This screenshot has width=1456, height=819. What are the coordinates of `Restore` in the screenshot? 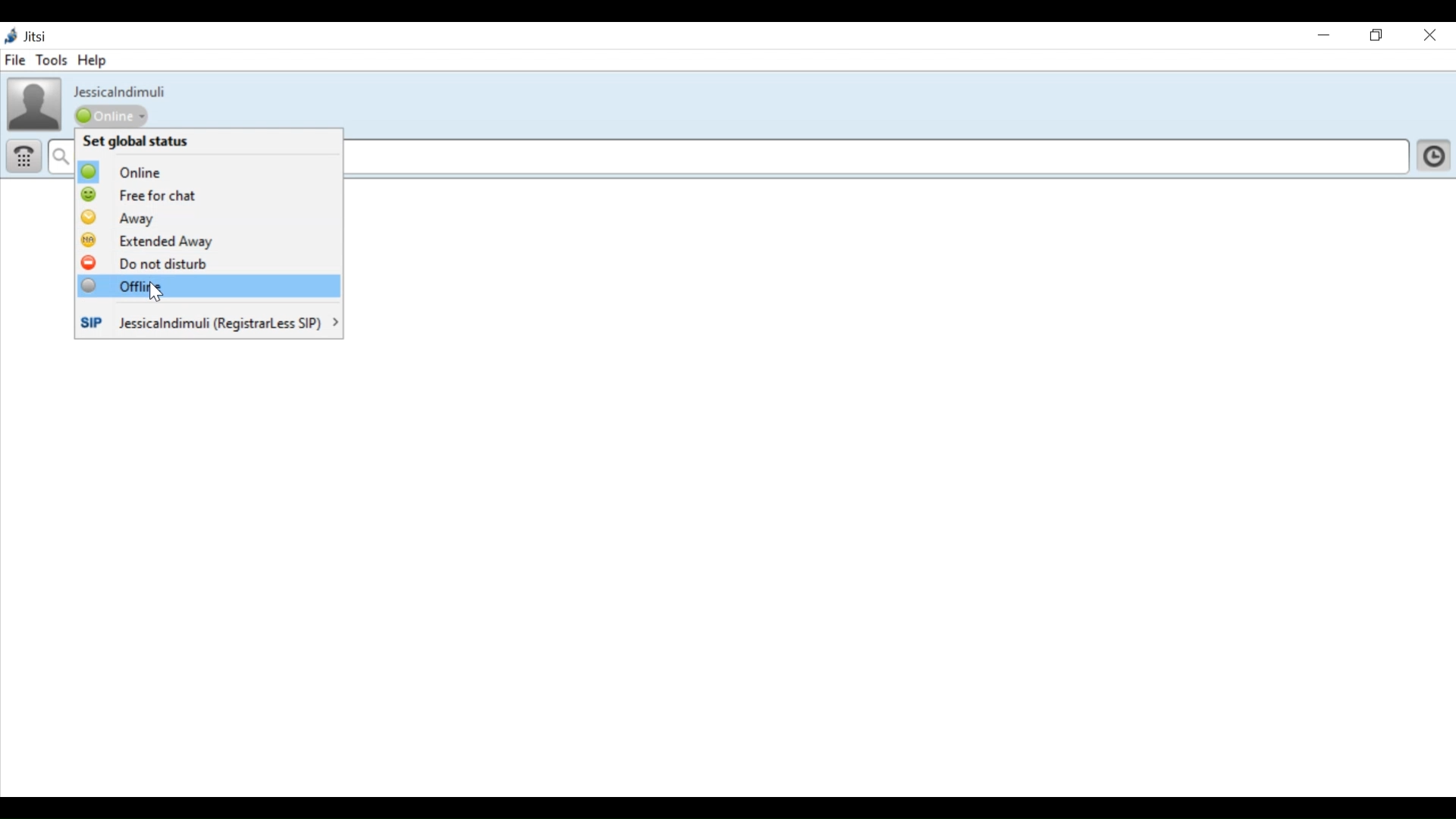 It's located at (1375, 36).